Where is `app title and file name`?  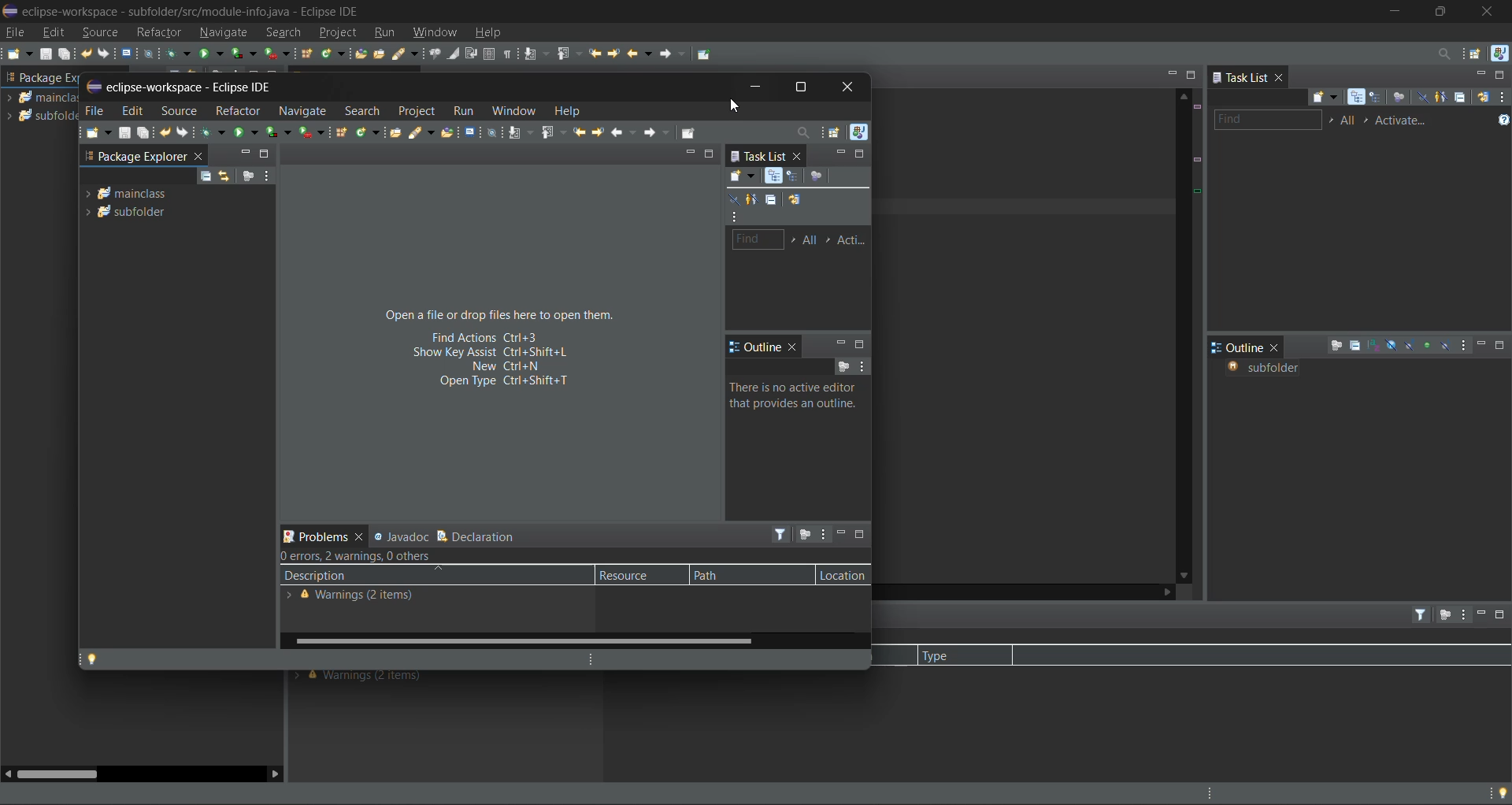
app title and file name is located at coordinates (194, 12).